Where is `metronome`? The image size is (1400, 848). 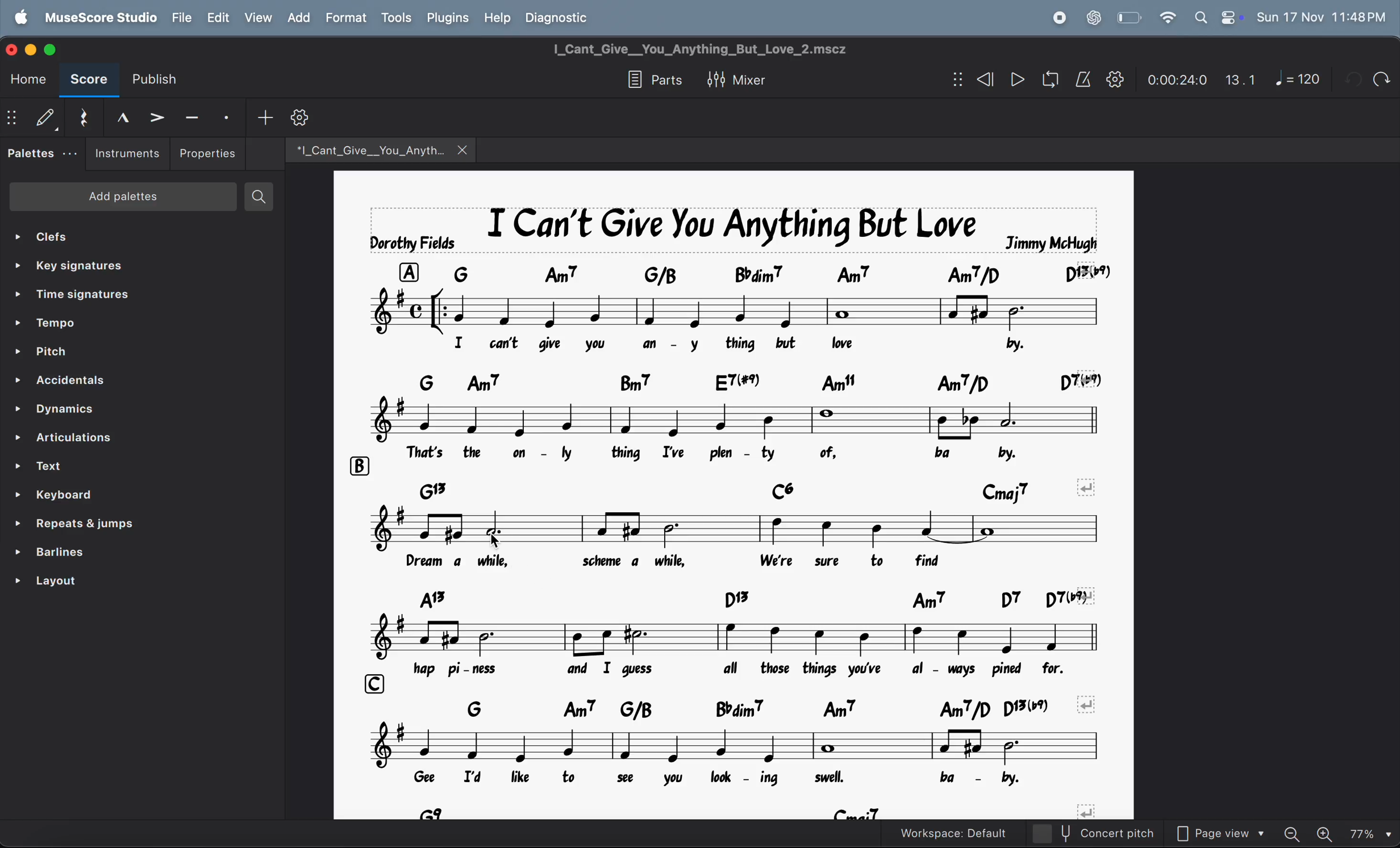 metronome is located at coordinates (1080, 81).